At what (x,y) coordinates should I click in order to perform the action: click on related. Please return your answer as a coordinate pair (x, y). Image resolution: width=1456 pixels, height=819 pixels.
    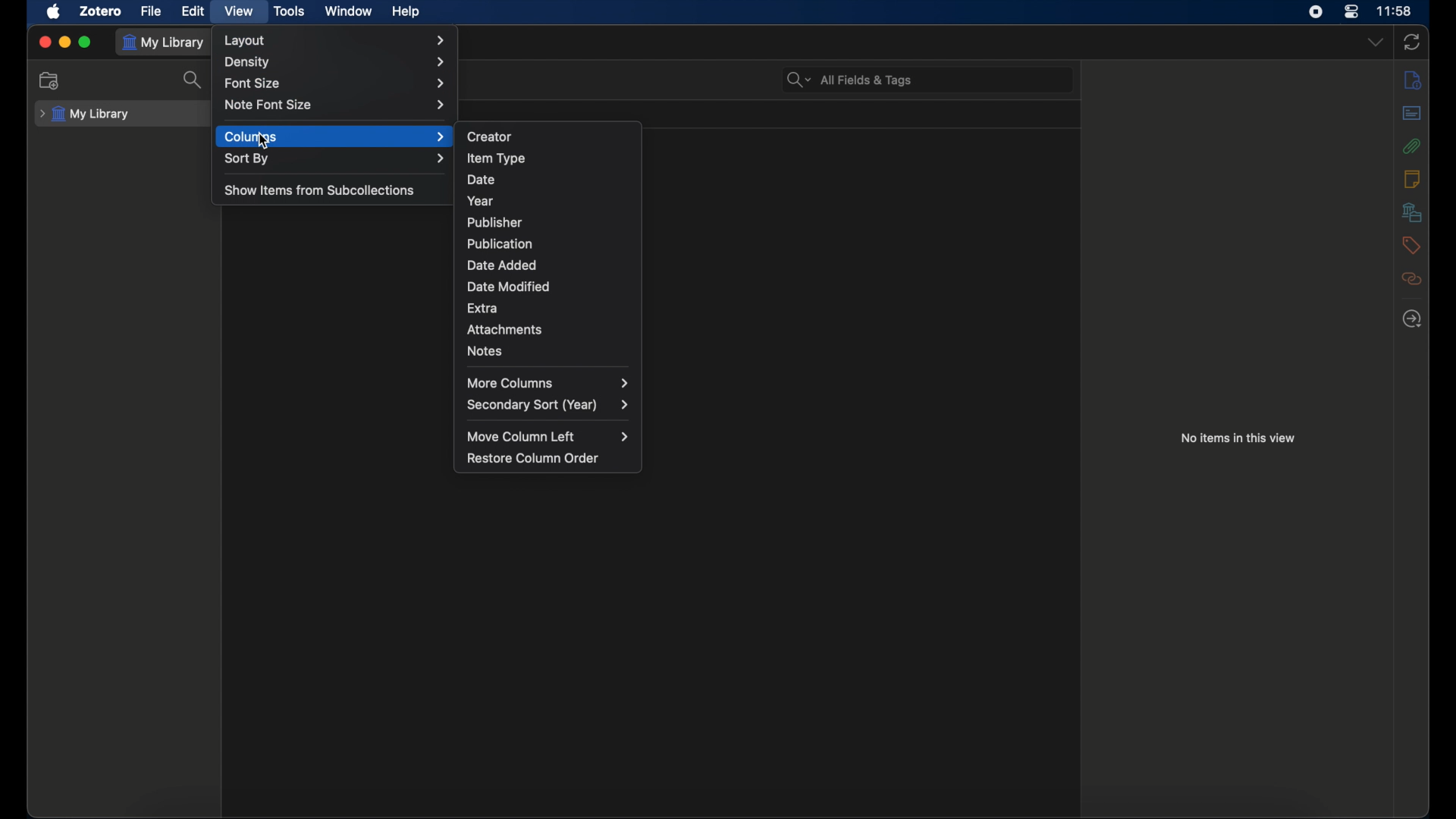
    Looking at the image, I should click on (1412, 279).